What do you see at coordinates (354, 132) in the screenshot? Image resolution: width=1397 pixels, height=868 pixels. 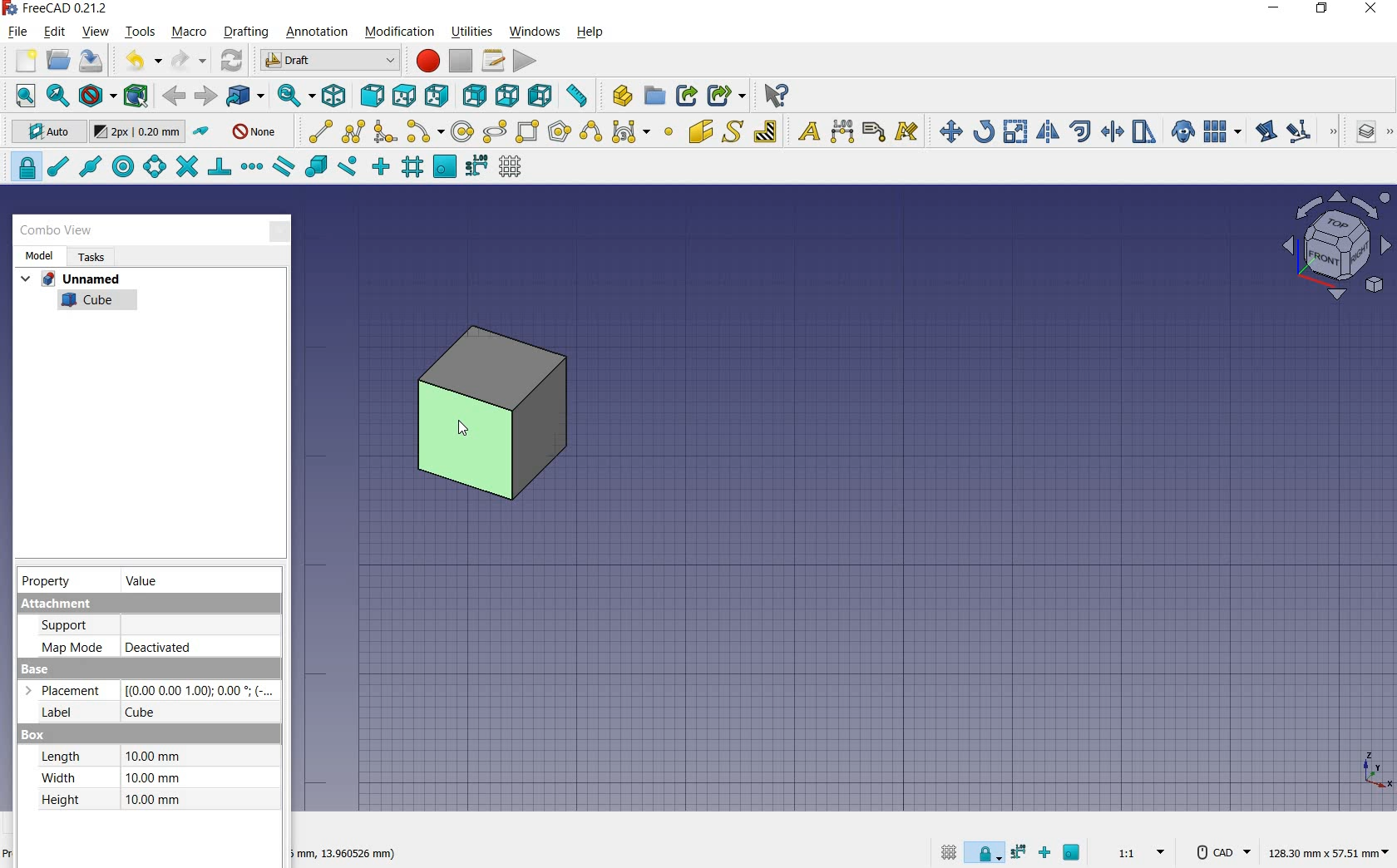 I see `polyline` at bounding box center [354, 132].